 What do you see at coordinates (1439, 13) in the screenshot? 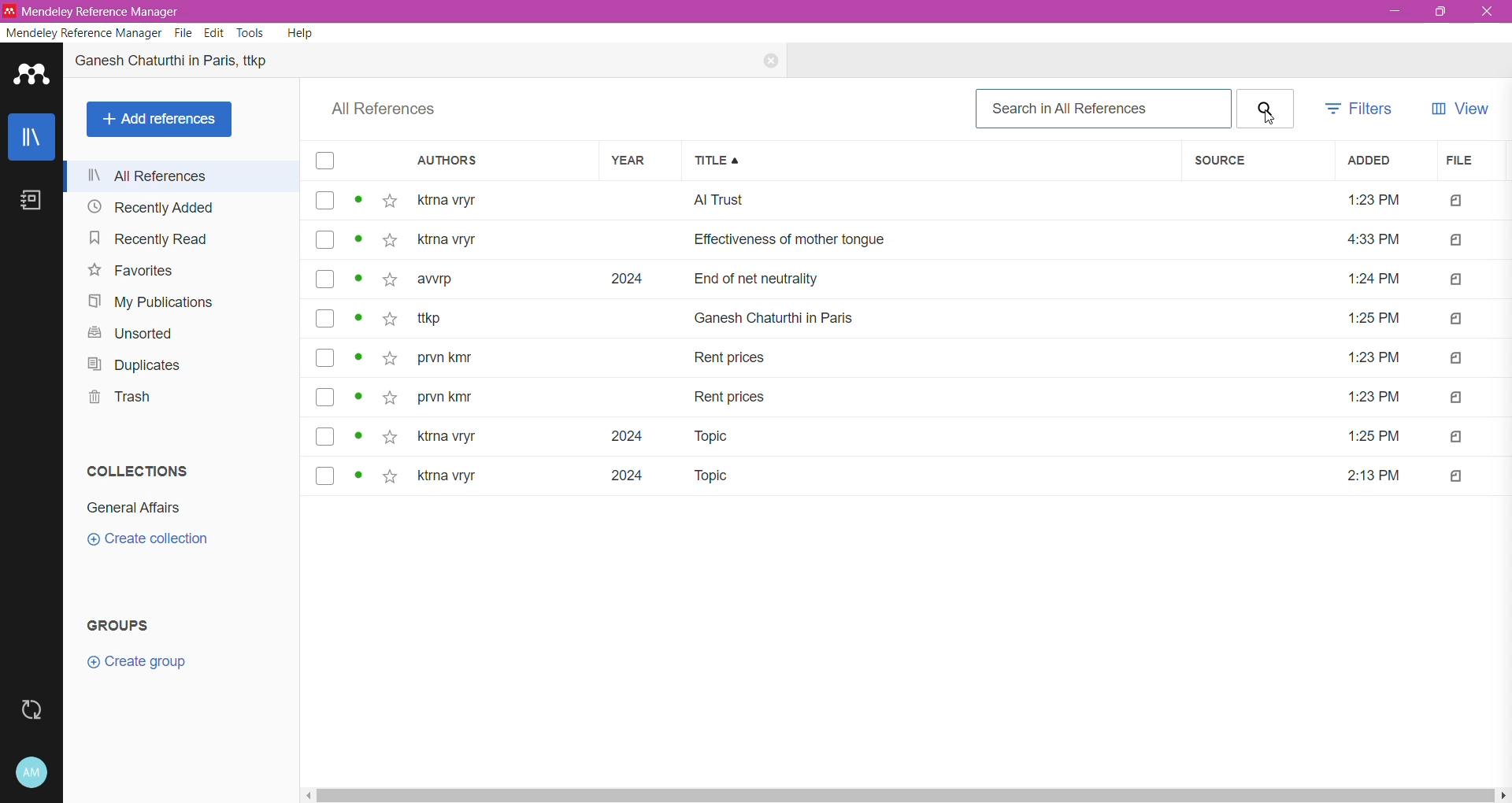
I see `Restore Down` at bounding box center [1439, 13].